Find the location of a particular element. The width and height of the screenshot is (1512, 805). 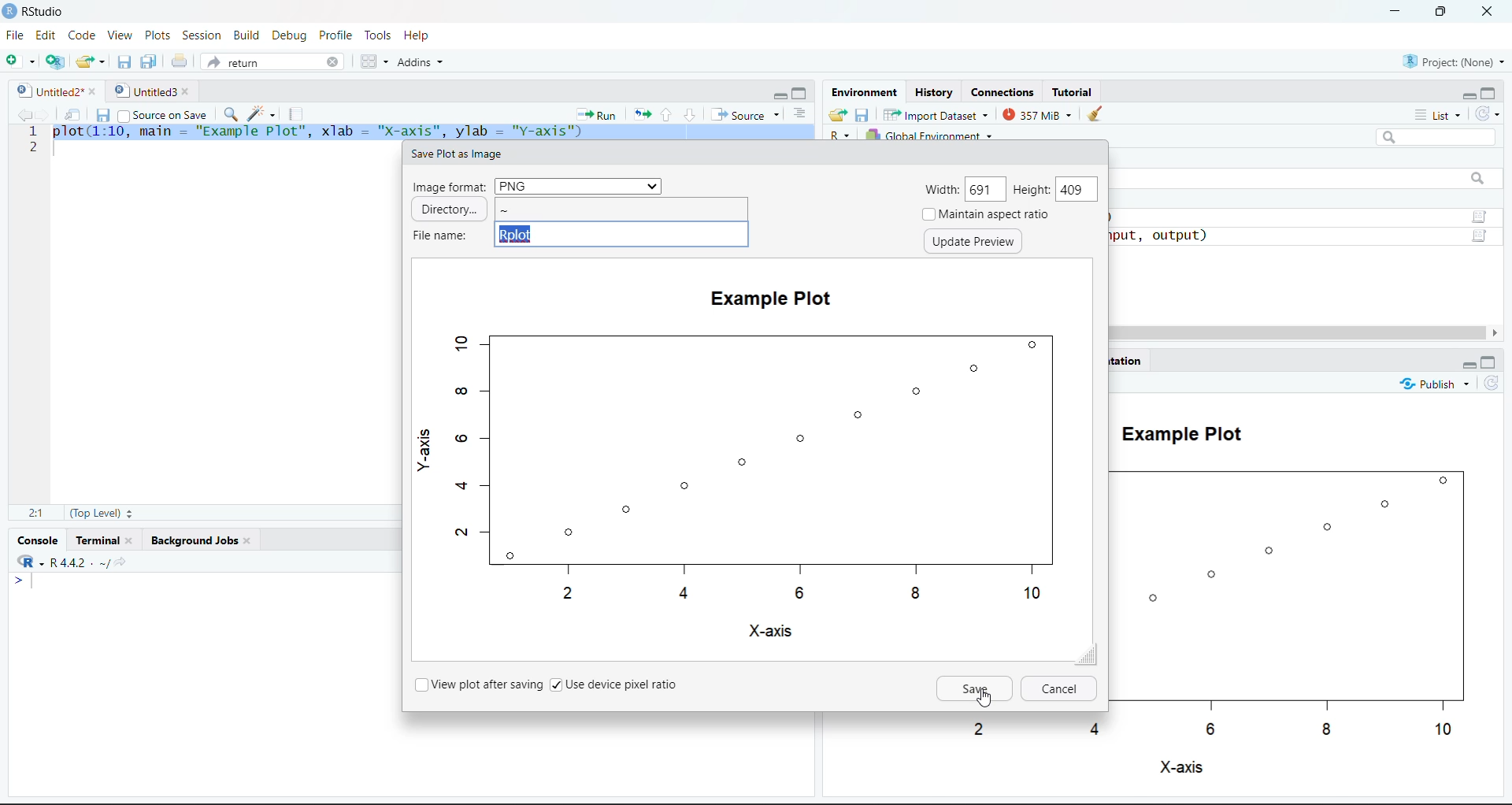

Data/Table is located at coordinates (1480, 217).